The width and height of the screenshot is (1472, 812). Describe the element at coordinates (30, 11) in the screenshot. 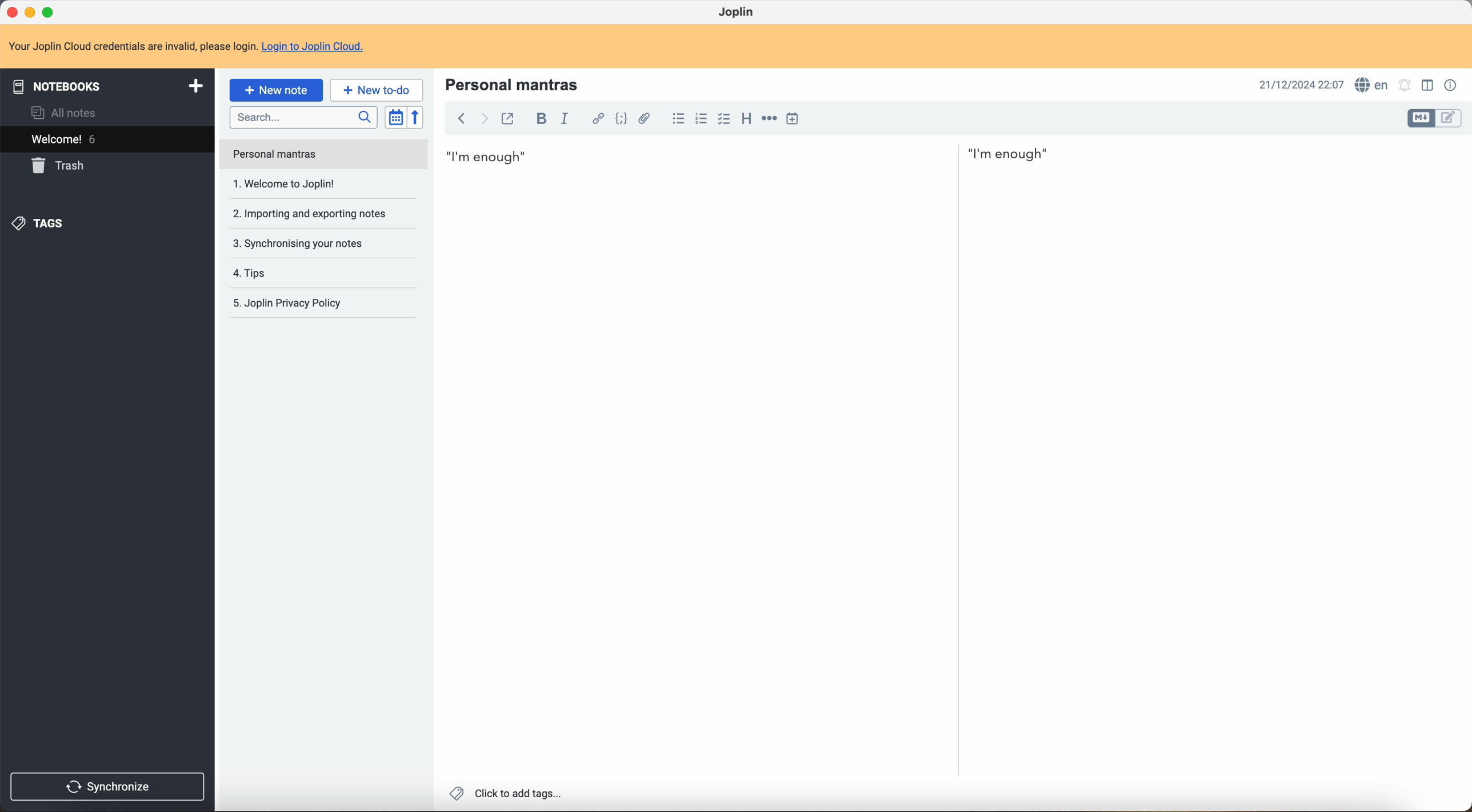

I see `minimize program` at that location.